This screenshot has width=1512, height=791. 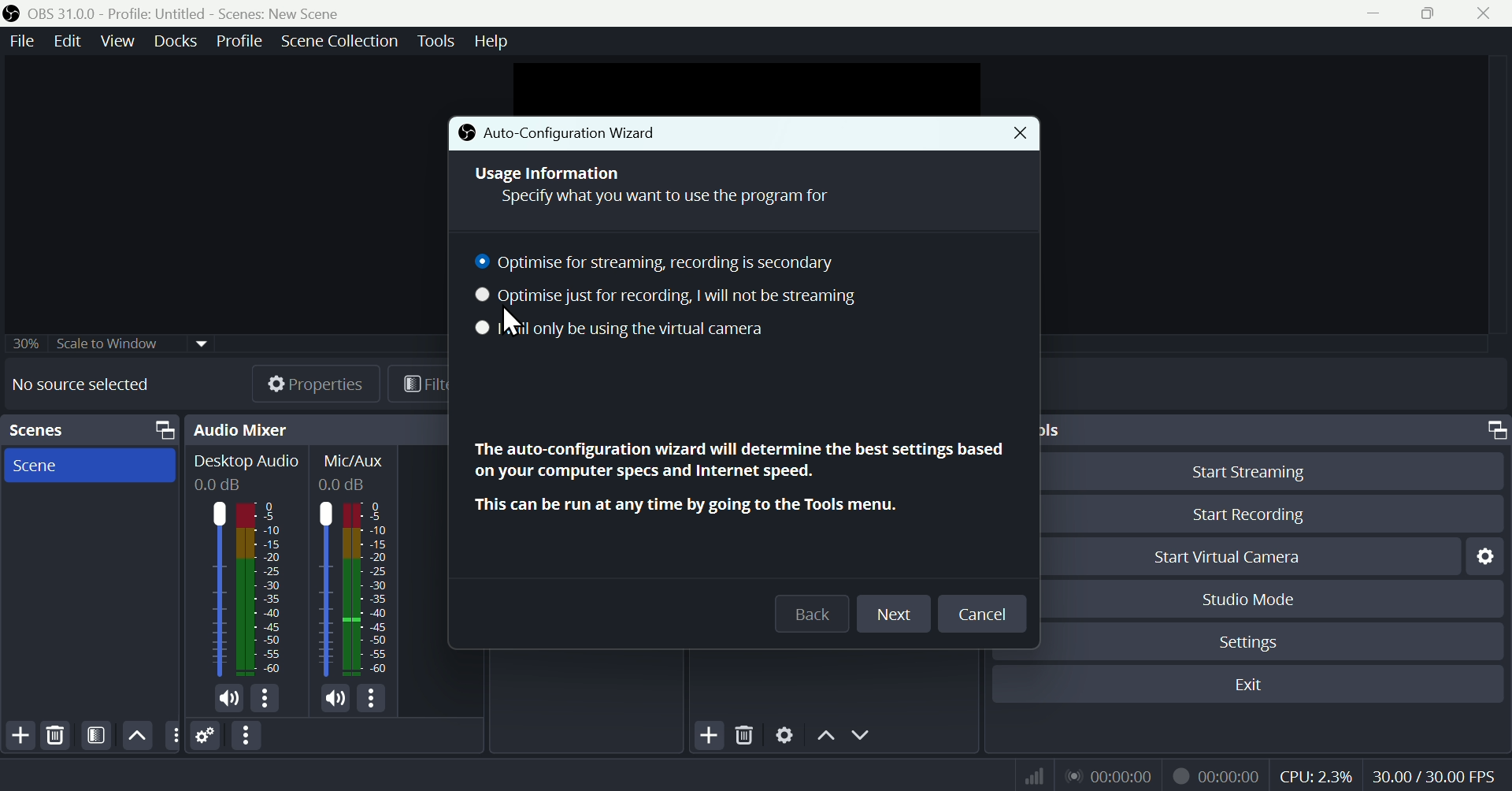 I want to click on Tools, so click(x=439, y=41).